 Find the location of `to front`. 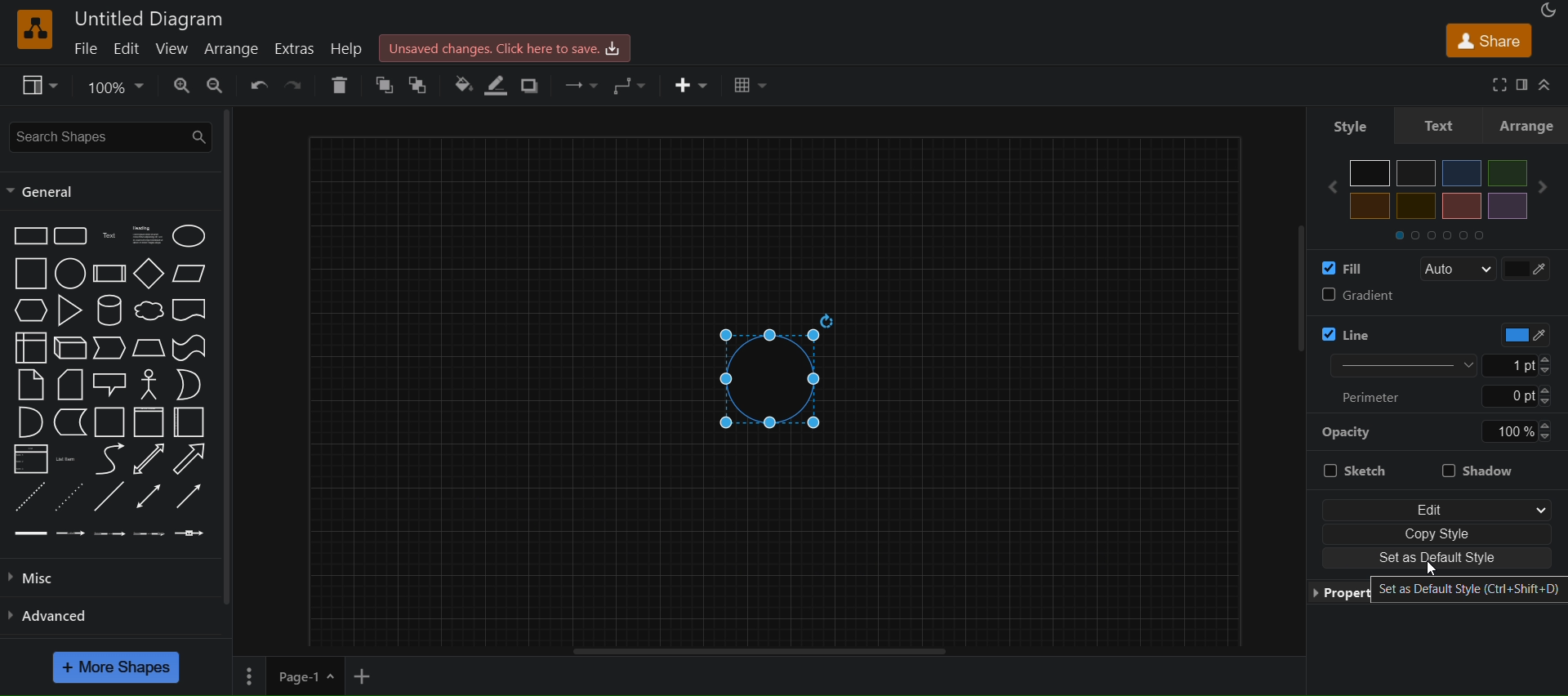

to front is located at coordinates (385, 86).